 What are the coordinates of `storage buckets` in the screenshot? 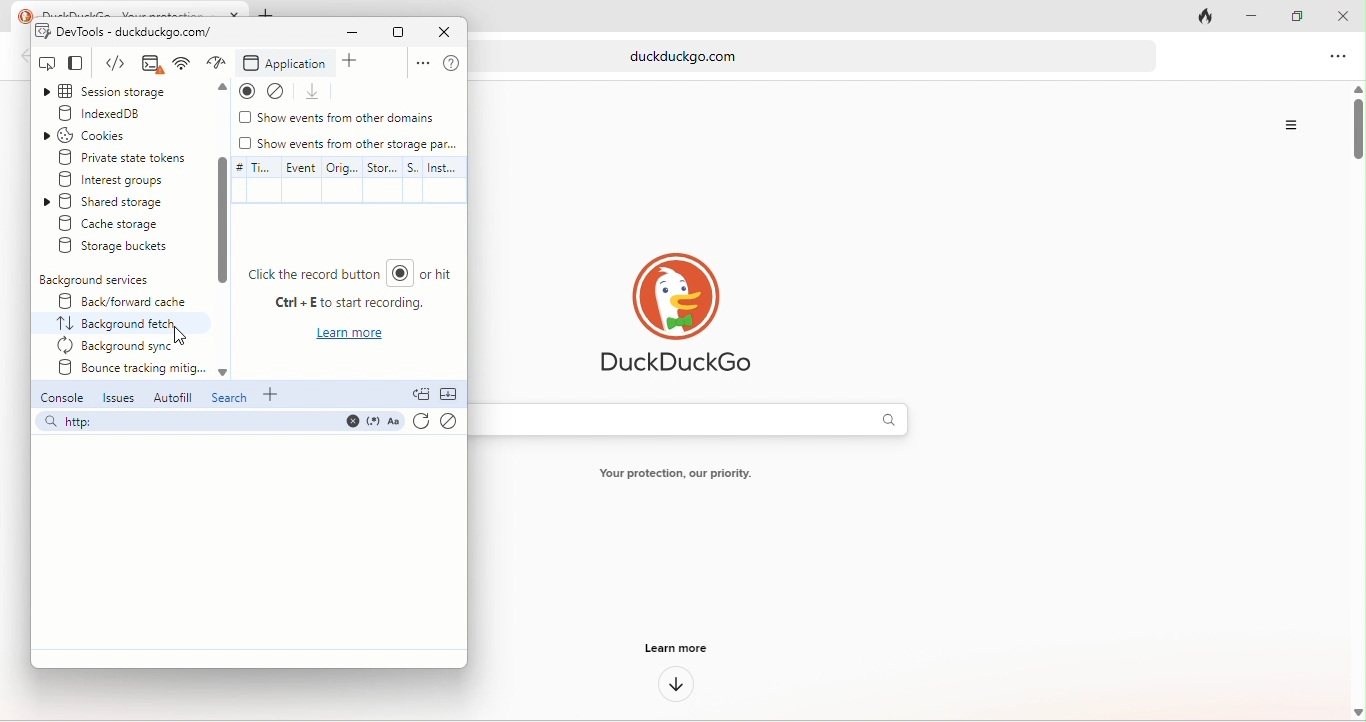 It's located at (117, 248).